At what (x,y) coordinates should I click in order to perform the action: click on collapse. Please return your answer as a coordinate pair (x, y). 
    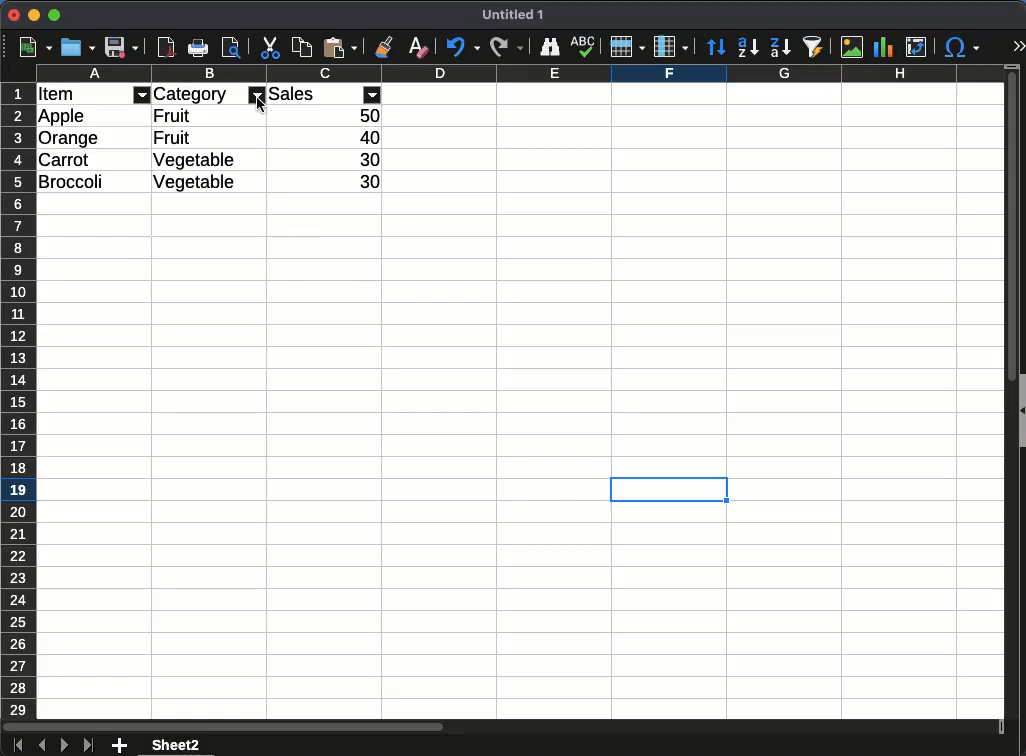
    Looking at the image, I should click on (1020, 409).